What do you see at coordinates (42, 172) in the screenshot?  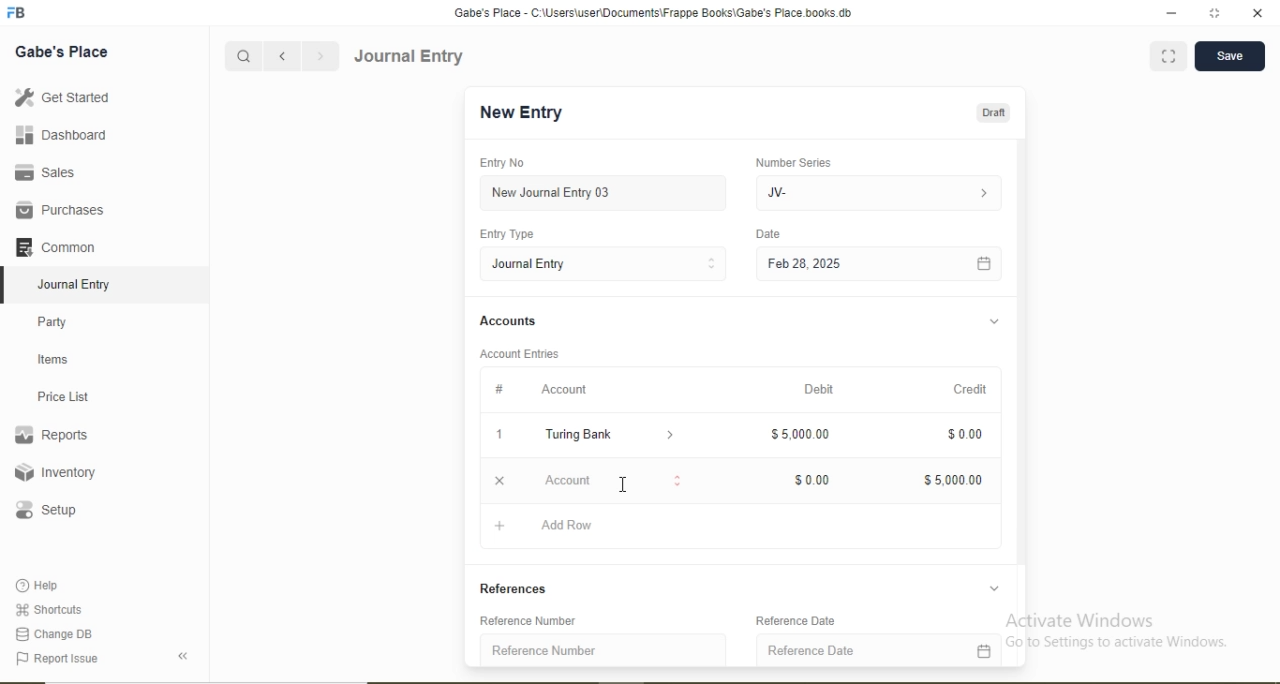 I see `Sales` at bounding box center [42, 172].